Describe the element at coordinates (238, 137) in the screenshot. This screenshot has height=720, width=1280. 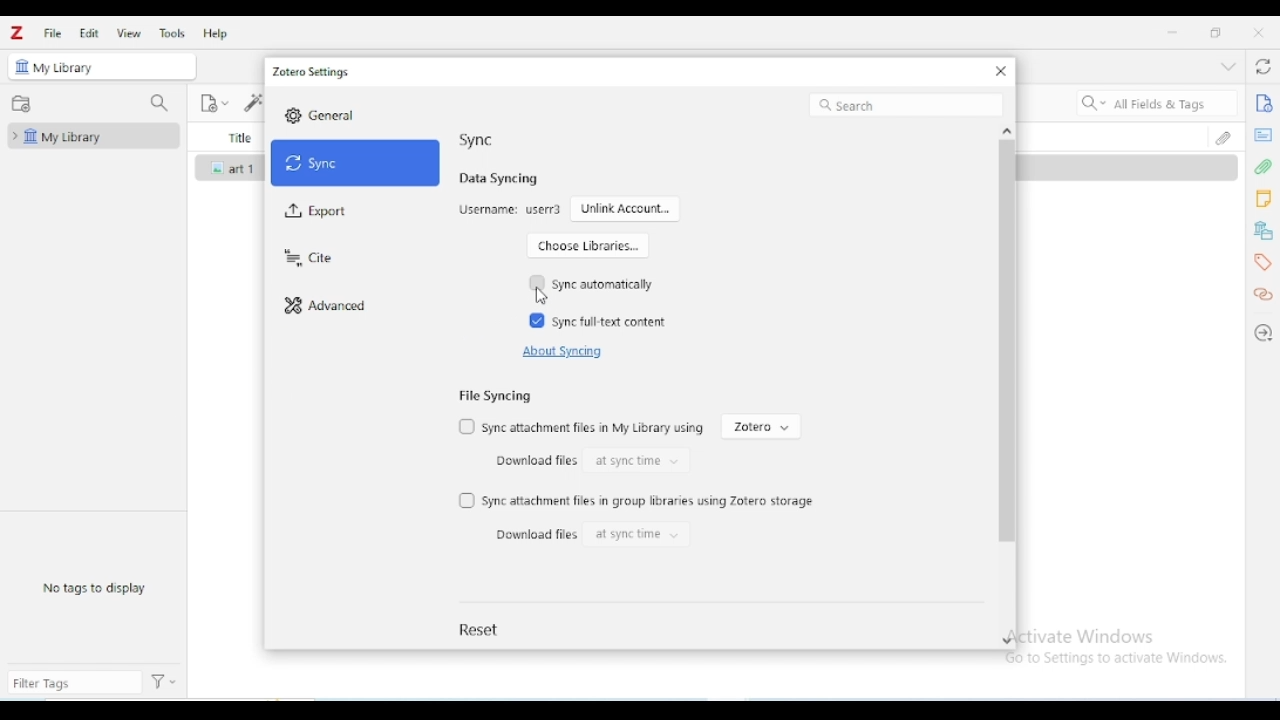
I see `title` at that location.